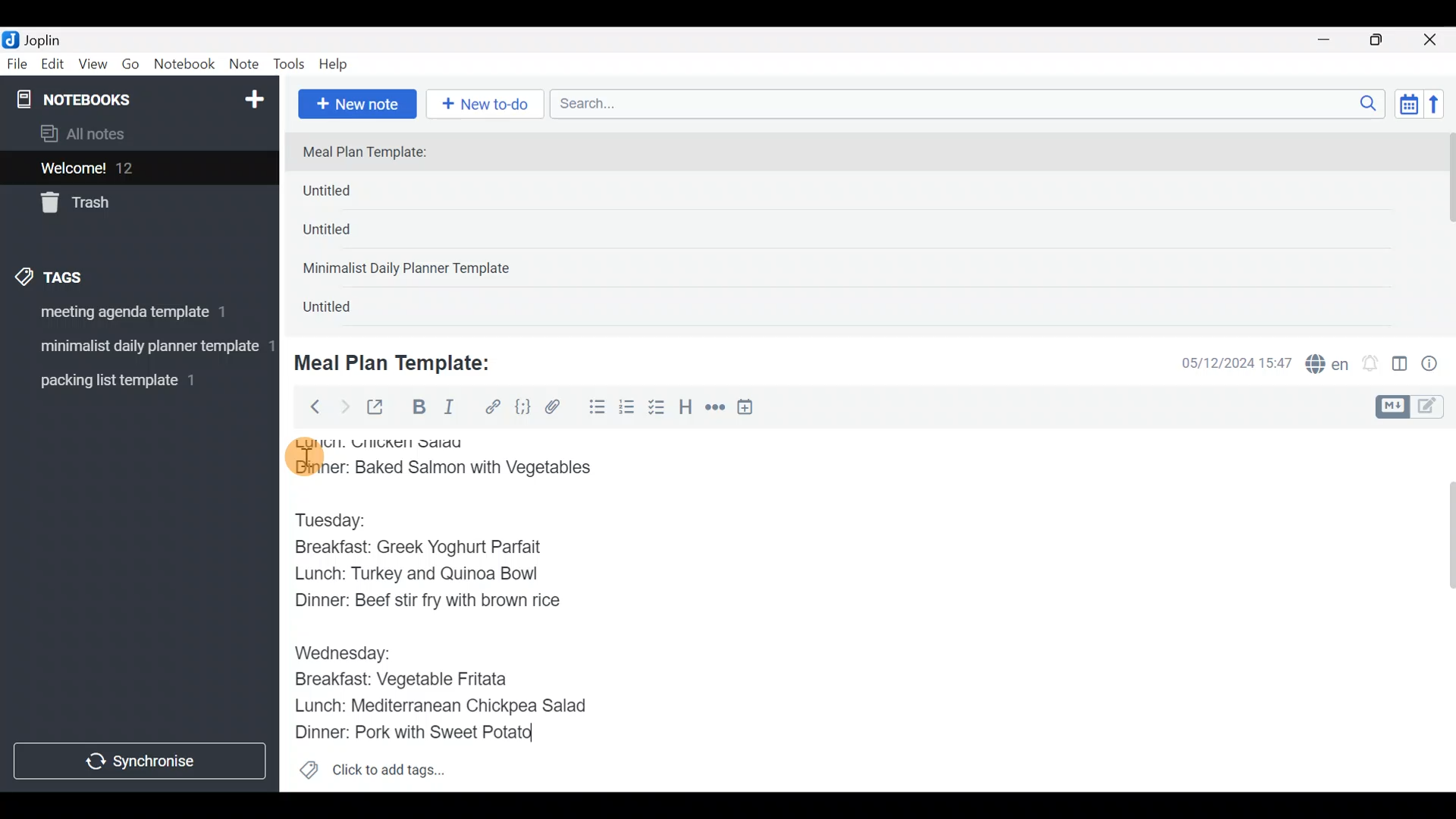 This screenshot has width=1456, height=819. I want to click on Horizontal rule, so click(715, 409).